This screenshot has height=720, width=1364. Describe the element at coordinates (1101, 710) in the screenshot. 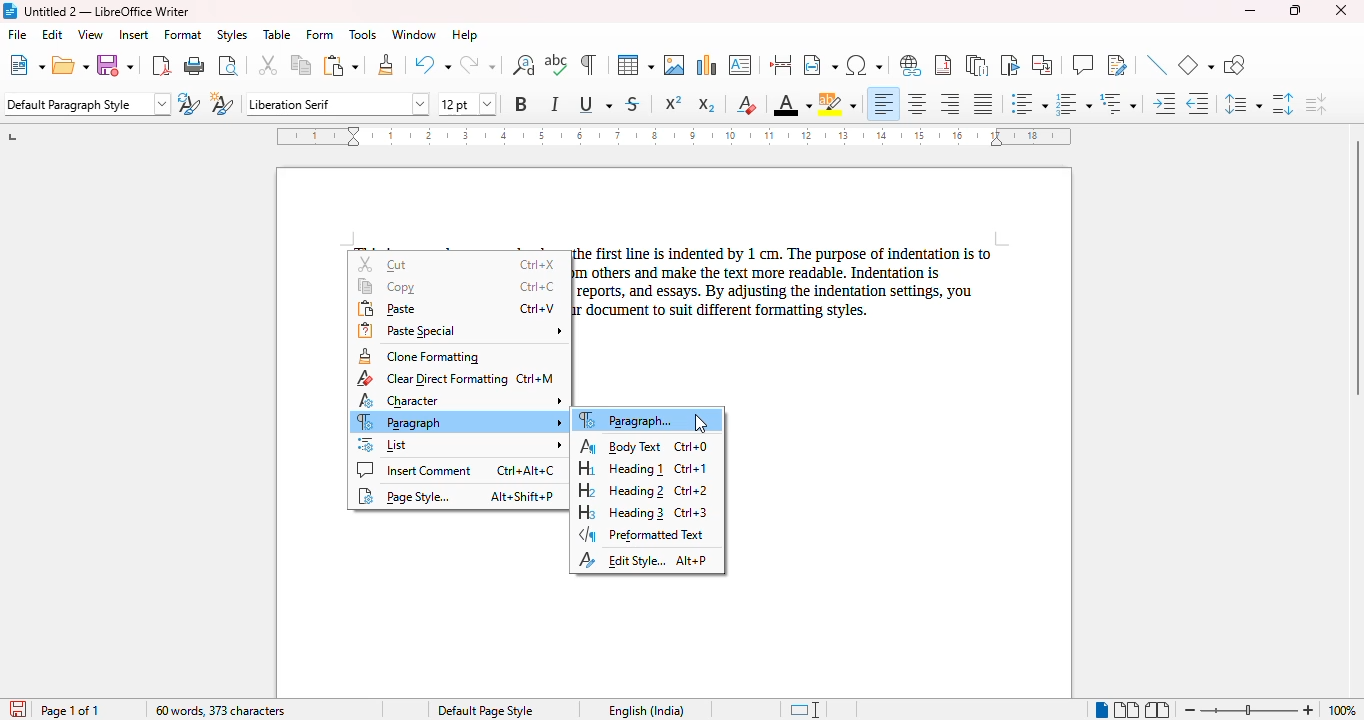

I see `single-page view` at that location.